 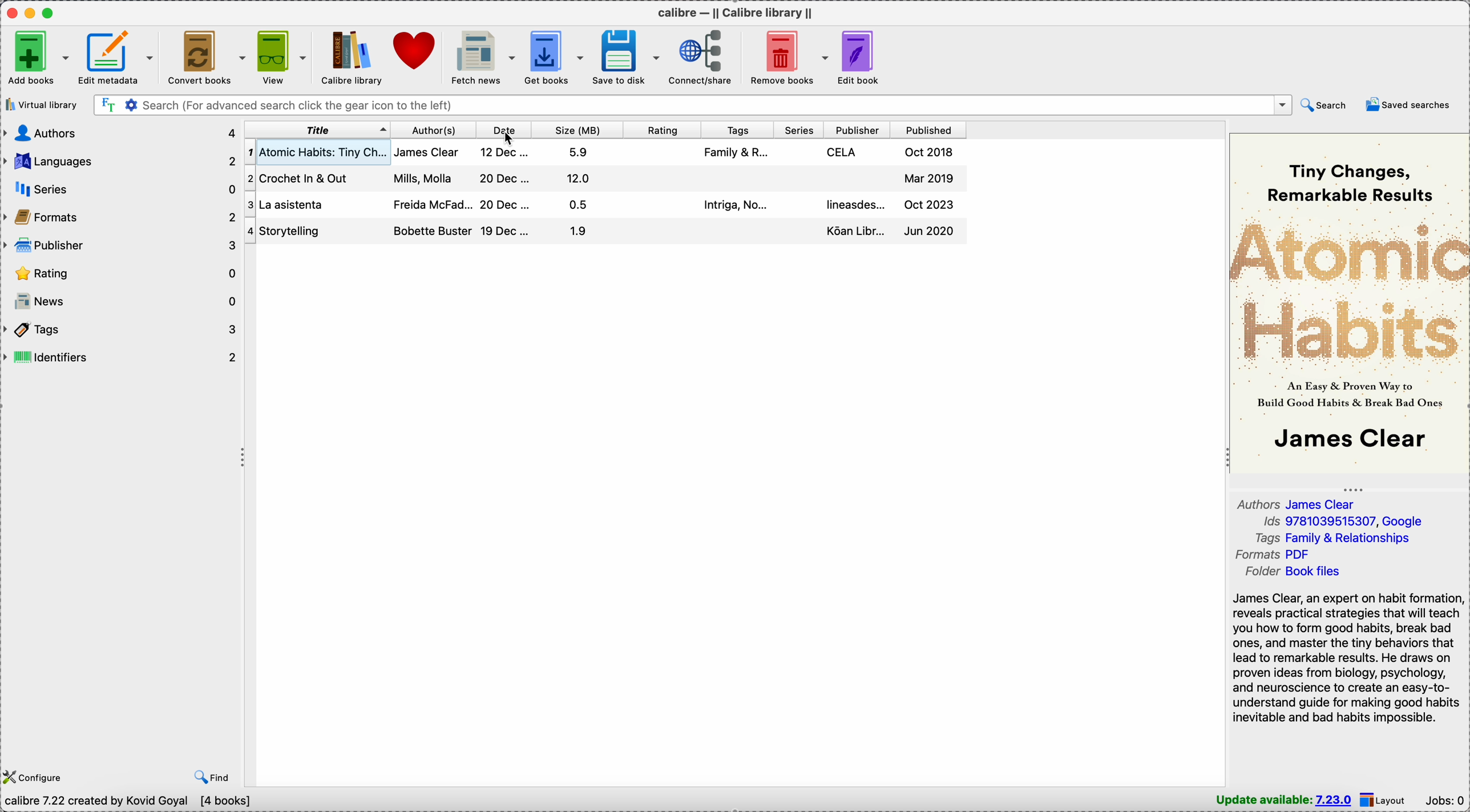 I want to click on rating, so click(x=122, y=273).